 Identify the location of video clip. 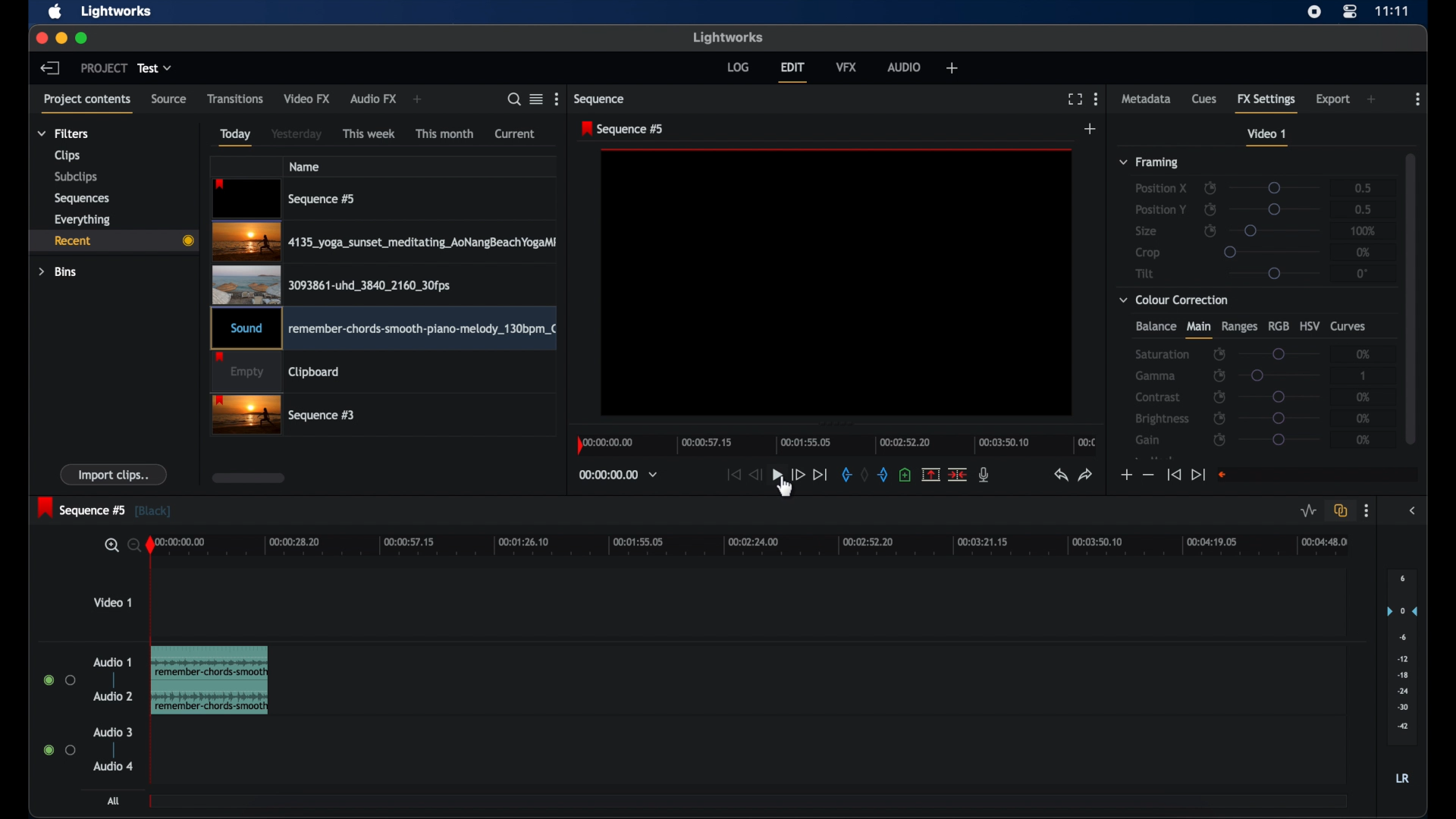
(285, 199).